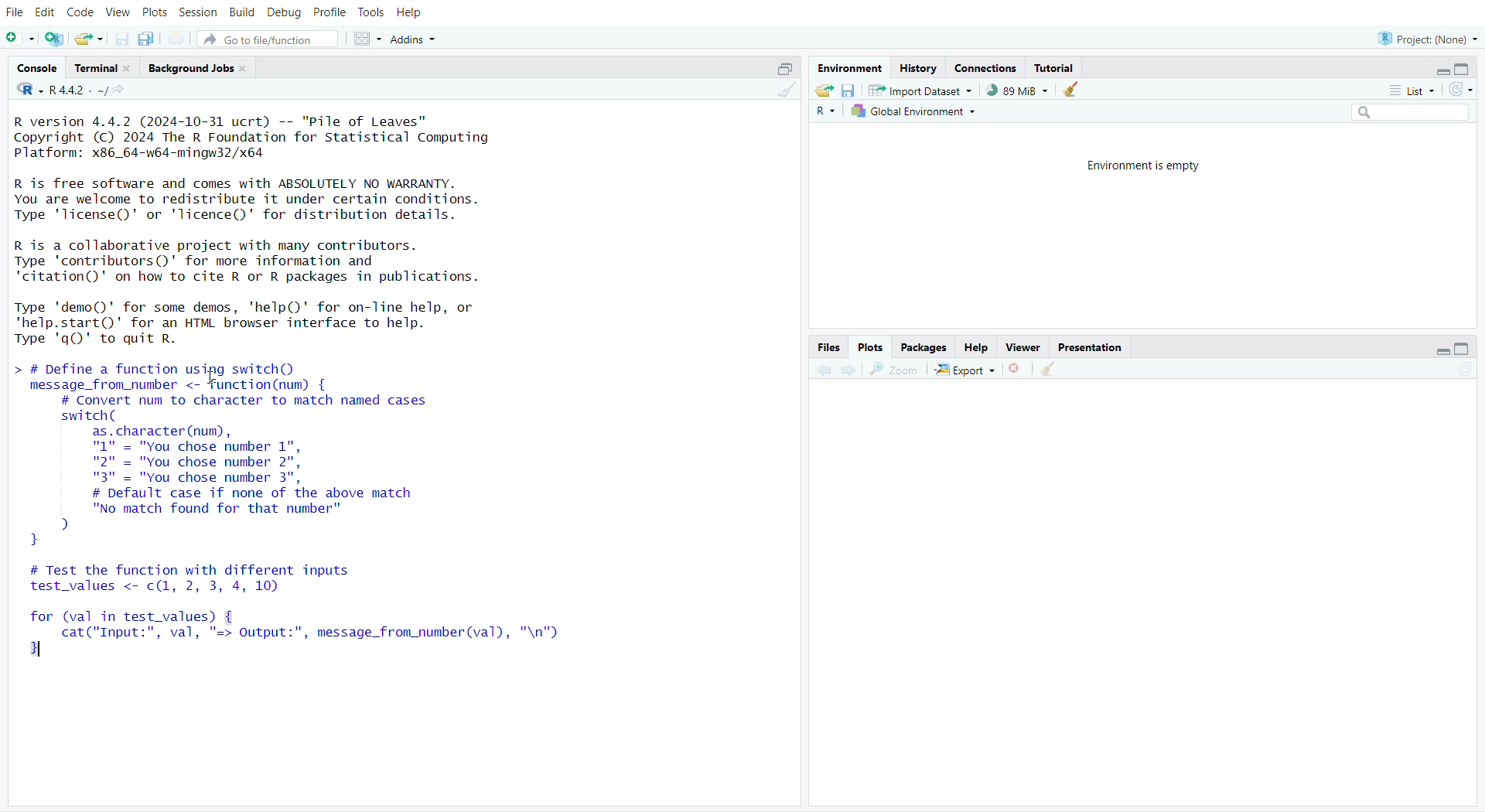  What do you see at coordinates (151, 38) in the screenshot?
I see `Save all open documents (Ctrl + Alt + S)` at bounding box center [151, 38].